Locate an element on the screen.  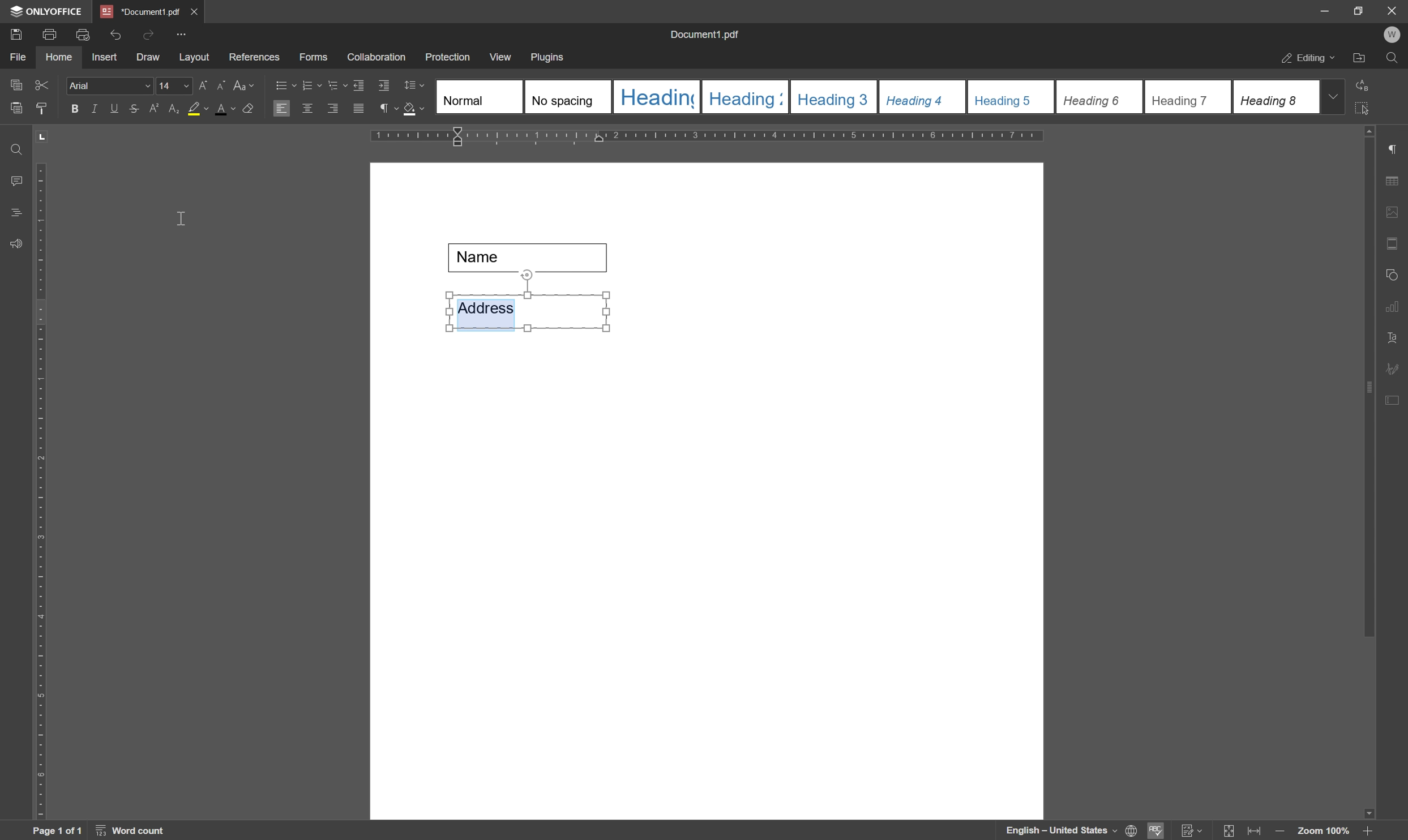
zoom out is located at coordinates (1282, 832).